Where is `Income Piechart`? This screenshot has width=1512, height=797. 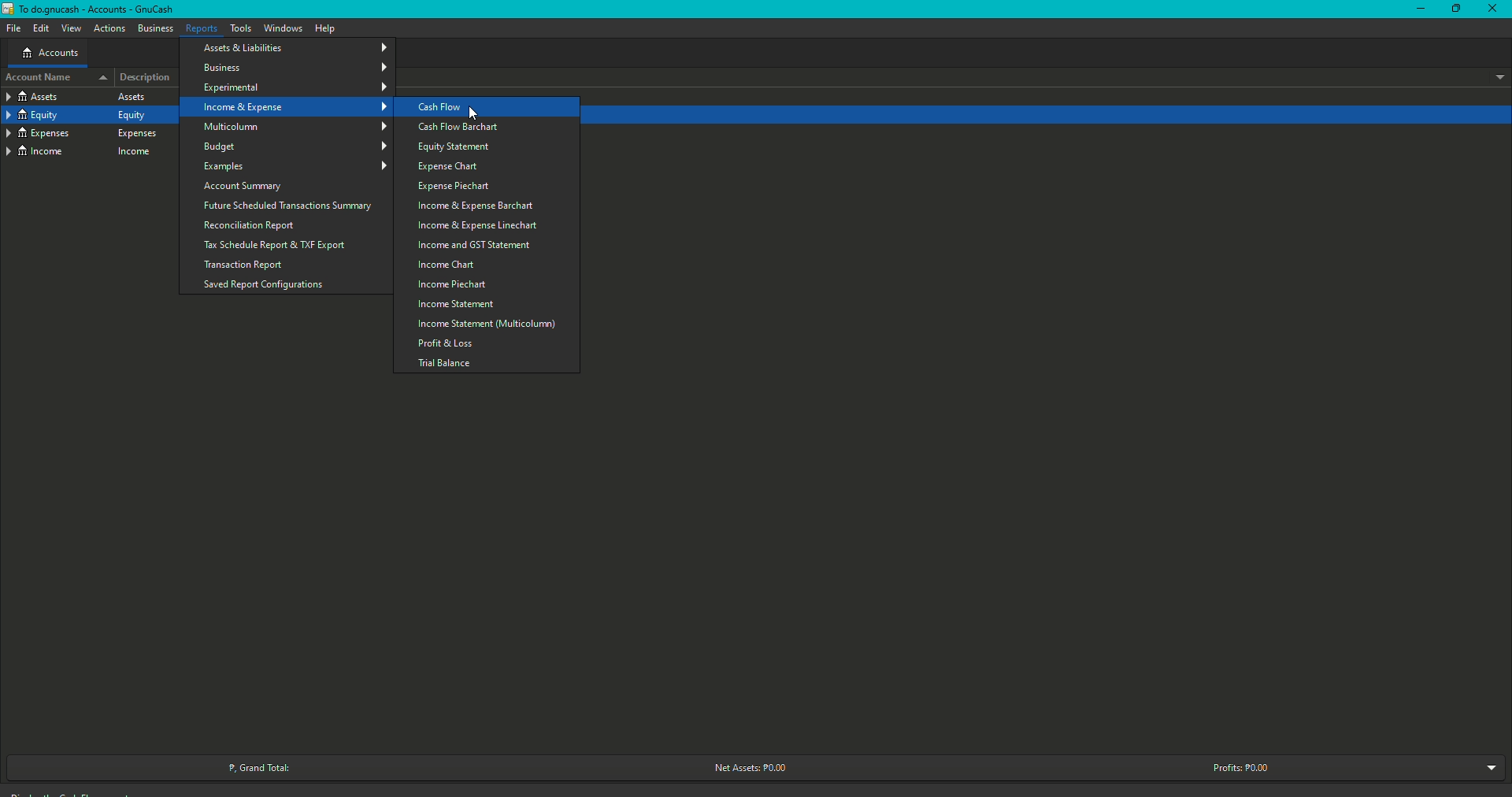 Income Piechart is located at coordinates (455, 285).